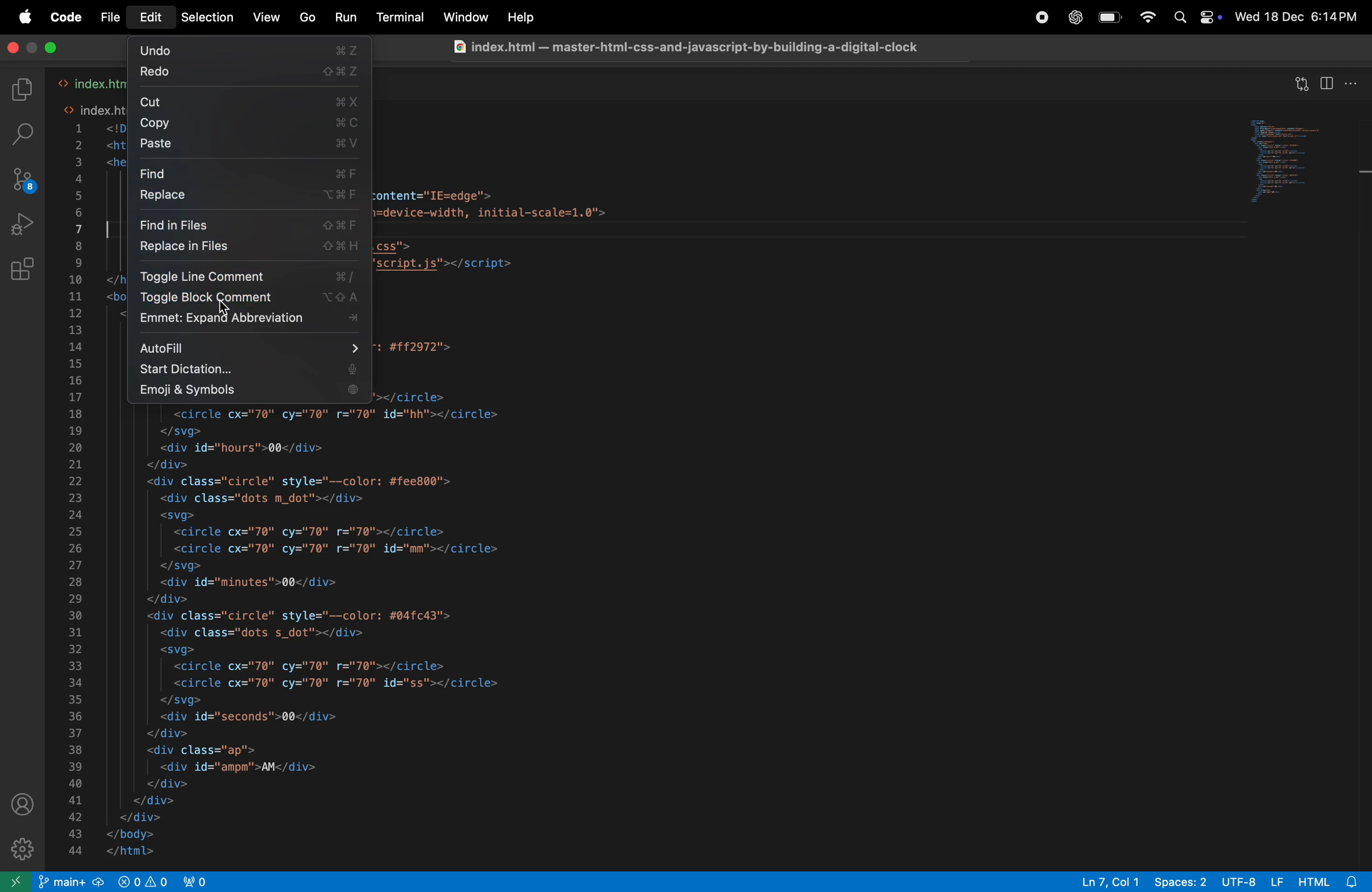 The image size is (1372, 892). What do you see at coordinates (112, 17) in the screenshot?
I see `file` at bounding box center [112, 17].